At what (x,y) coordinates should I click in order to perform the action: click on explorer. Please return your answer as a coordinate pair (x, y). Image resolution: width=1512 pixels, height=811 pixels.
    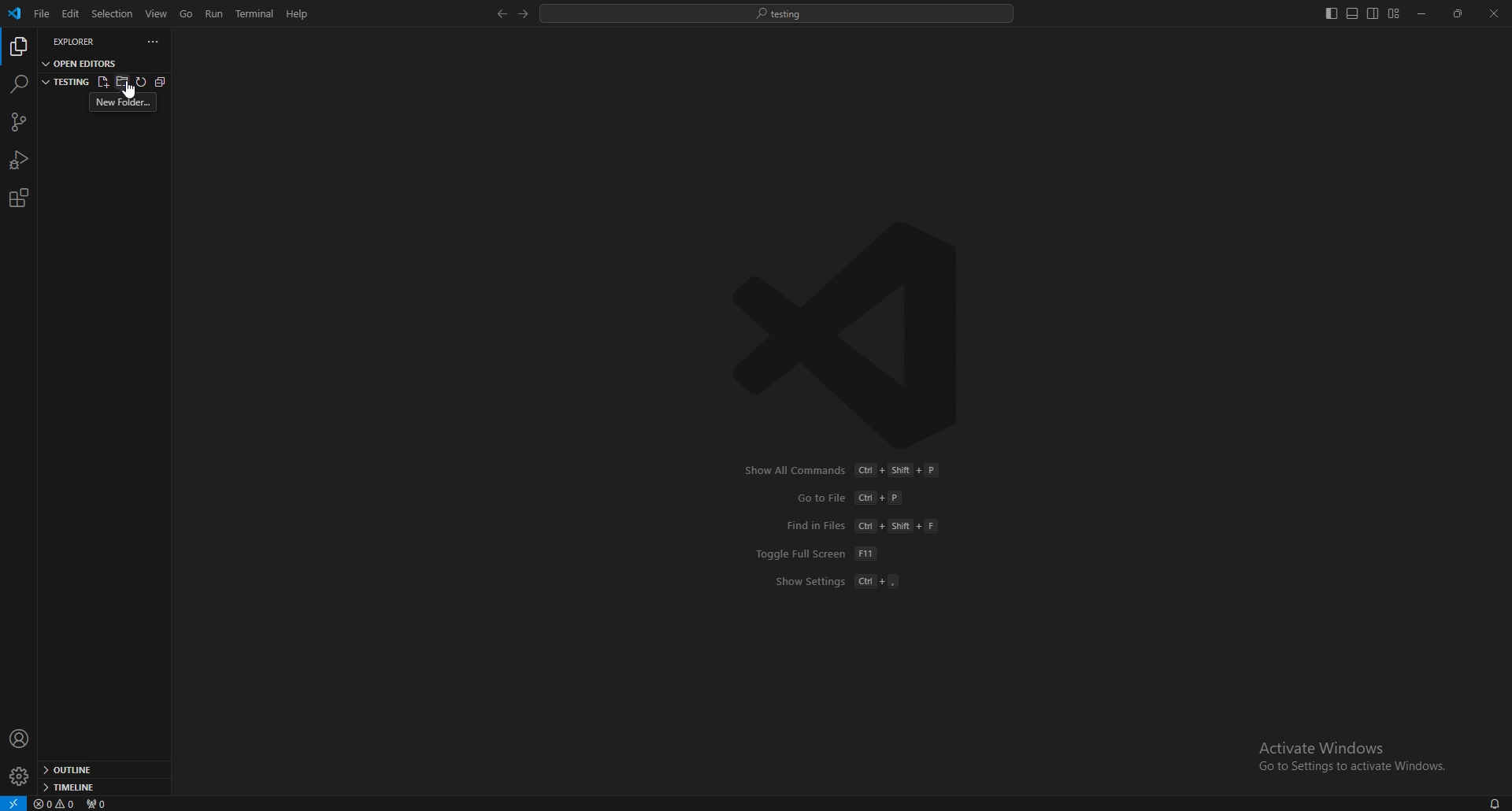
    Looking at the image, I should click on (18, 47).